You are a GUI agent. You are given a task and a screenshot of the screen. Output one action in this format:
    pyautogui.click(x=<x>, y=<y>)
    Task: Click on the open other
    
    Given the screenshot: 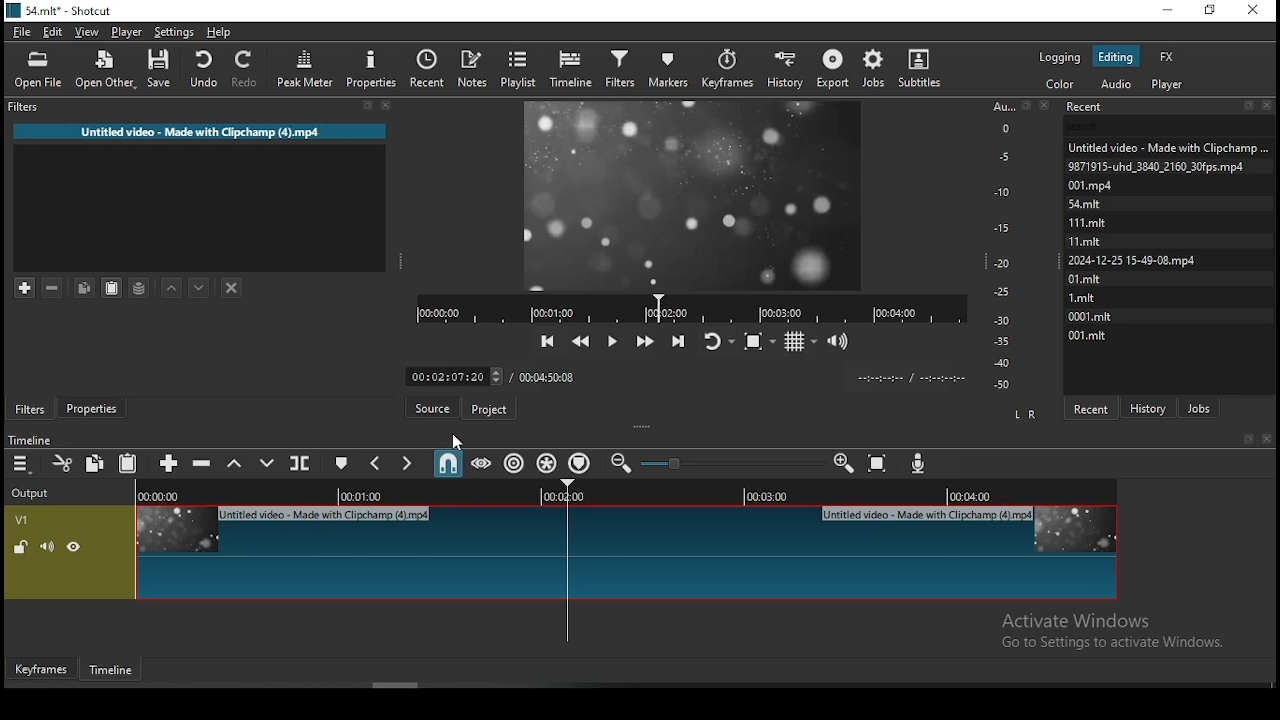 What is the action you would take?
    pyautogui.click(x=104, y=69)
    